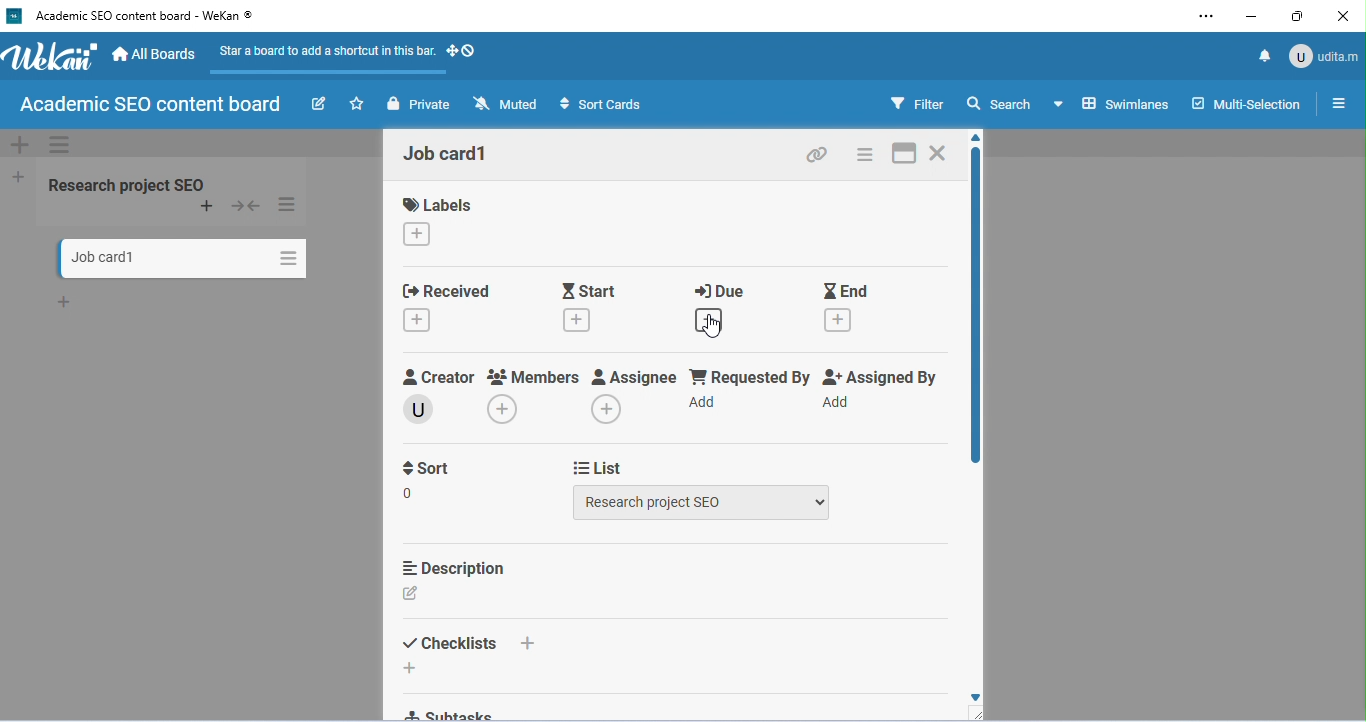  What do you see at coordinates (143, 16) in the screenshot?
I see `current window: ‘Academic SEO content board - WeKan` at bounding box center [143, 16].